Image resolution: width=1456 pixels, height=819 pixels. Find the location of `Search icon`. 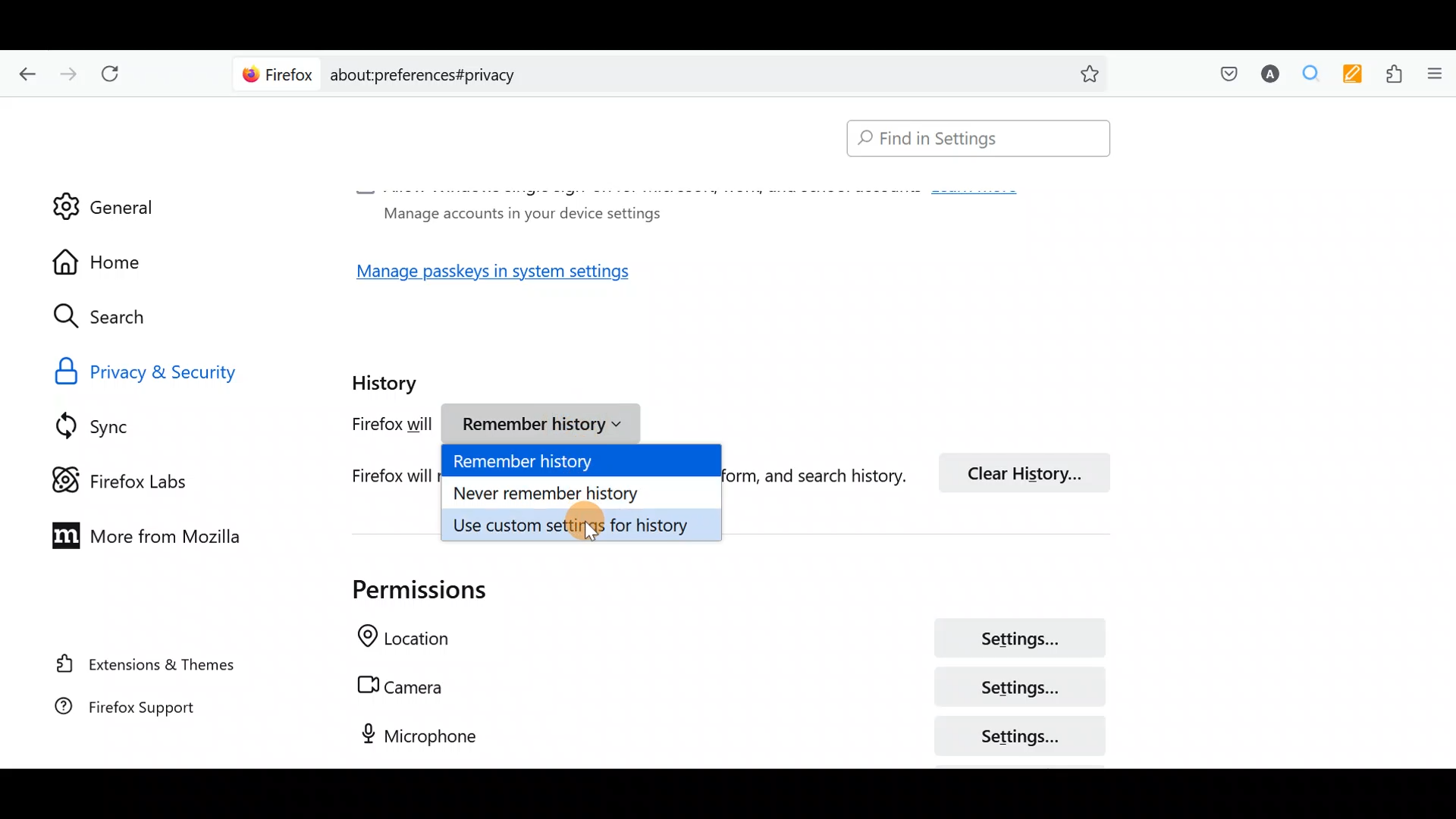

Search icon is located at coordinates (115, 317).